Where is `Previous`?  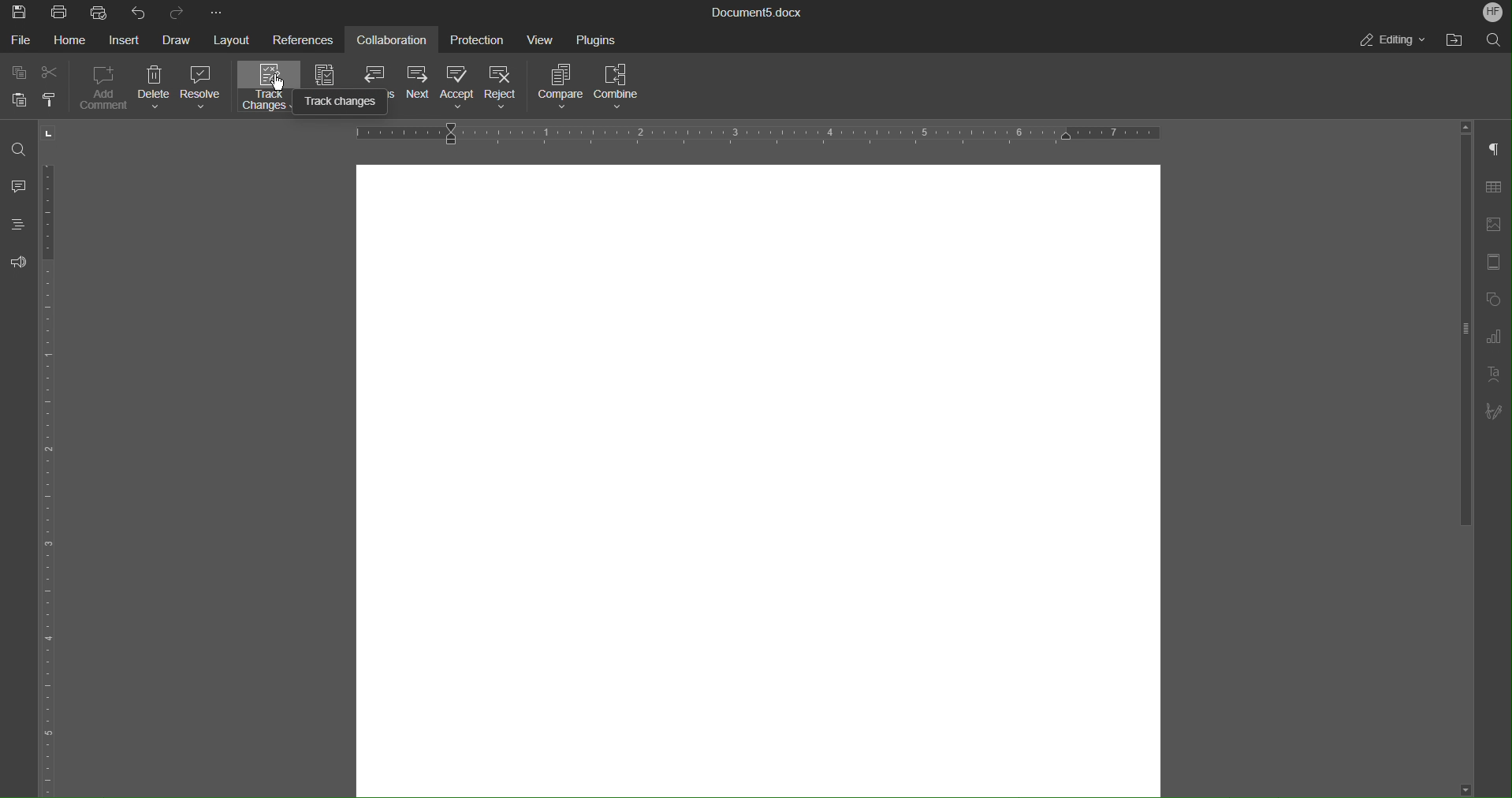
Previous is located at coordinates (378, 73).